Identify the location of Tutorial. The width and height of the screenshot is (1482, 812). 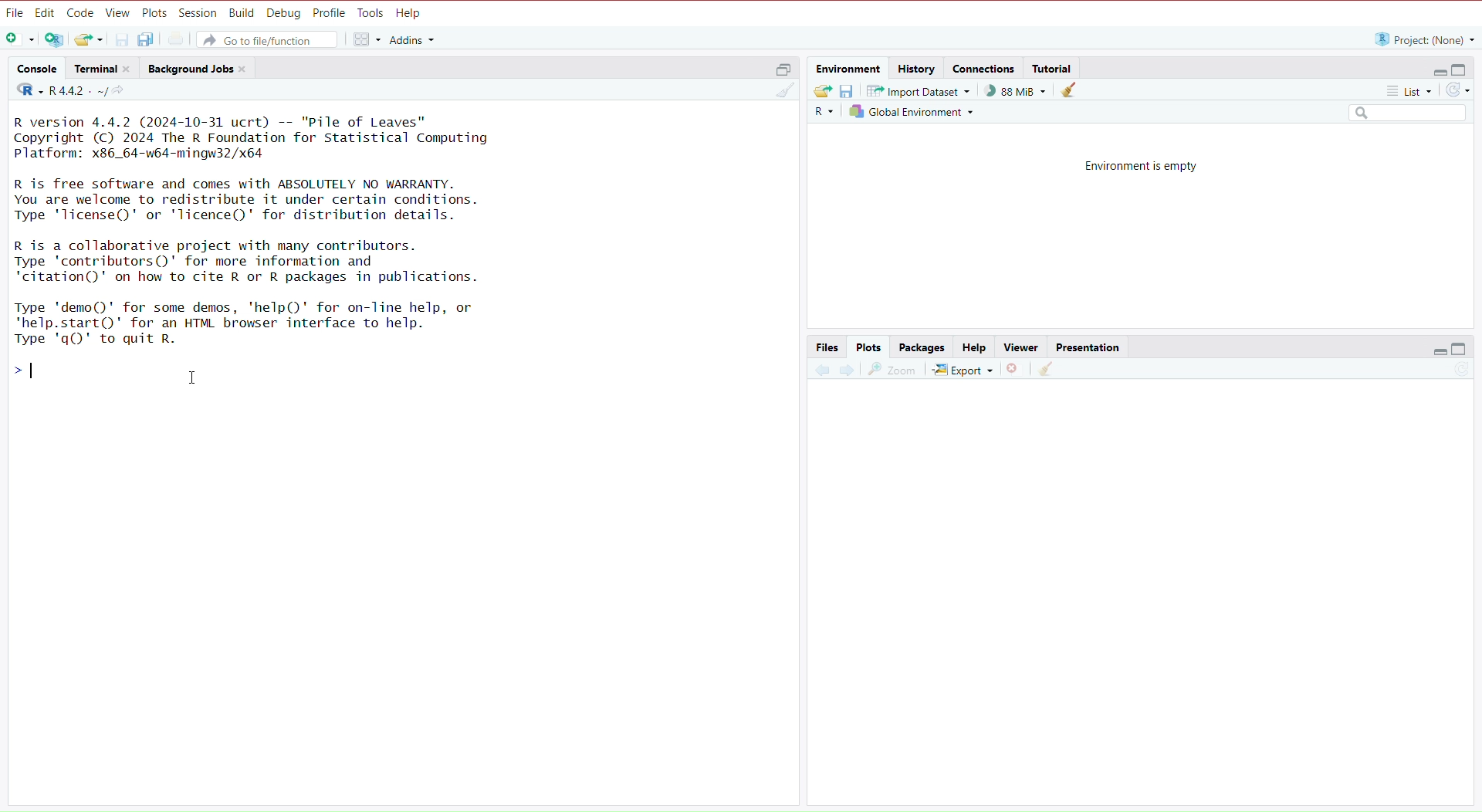
(1054, 67).